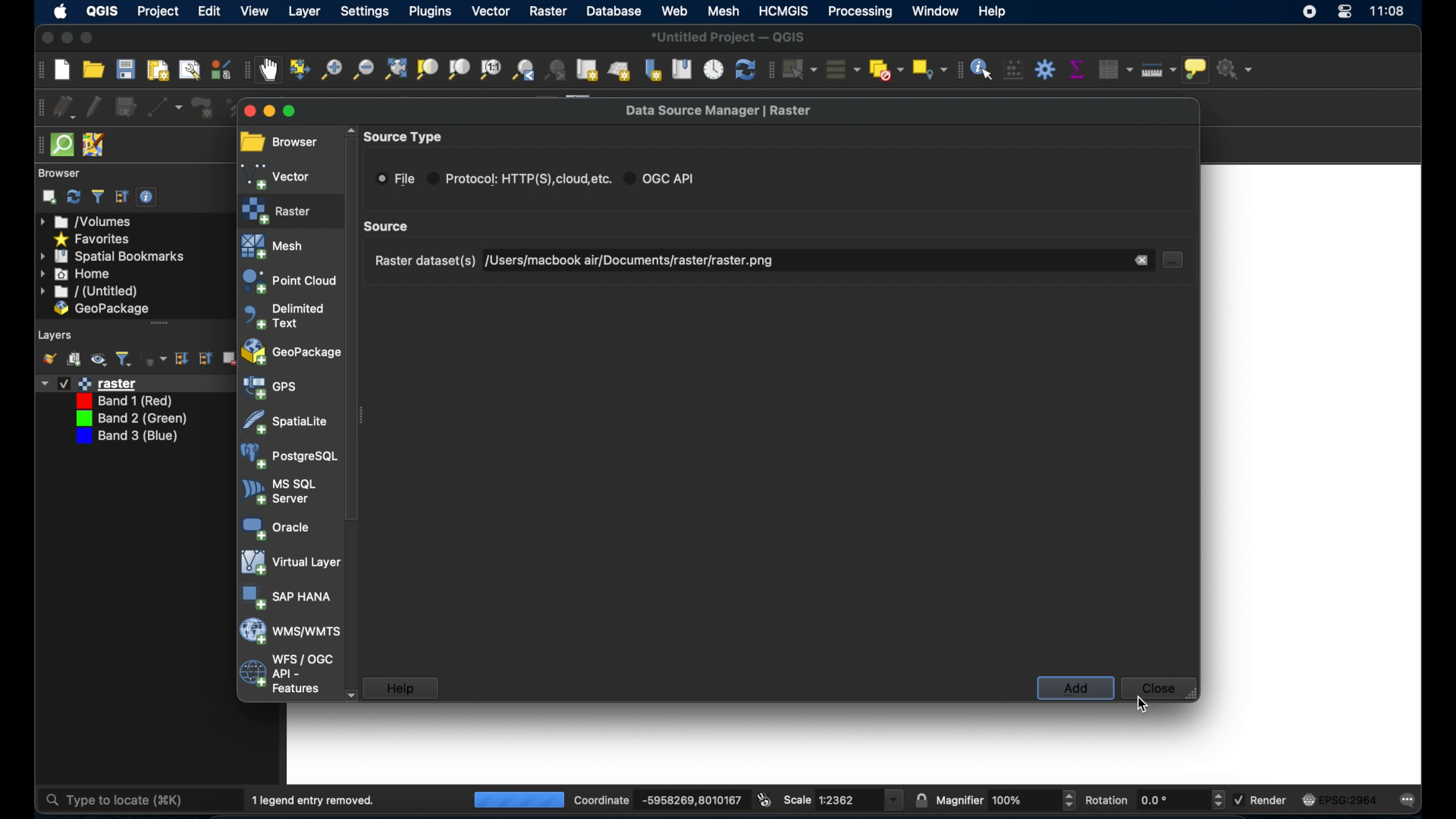 The width and height of the screenshot is (1456, 819). I want to click on raster, so click(108, 383).